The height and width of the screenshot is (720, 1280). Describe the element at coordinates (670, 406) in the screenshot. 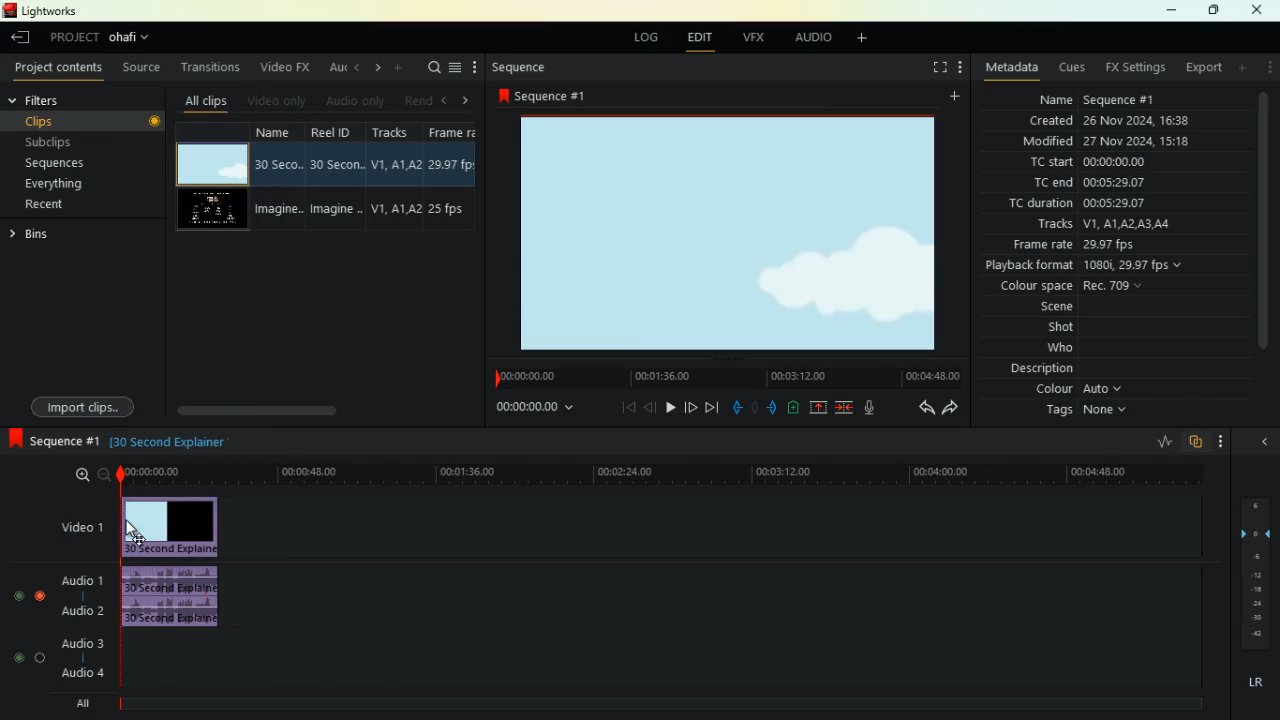

I see `play` at that location.